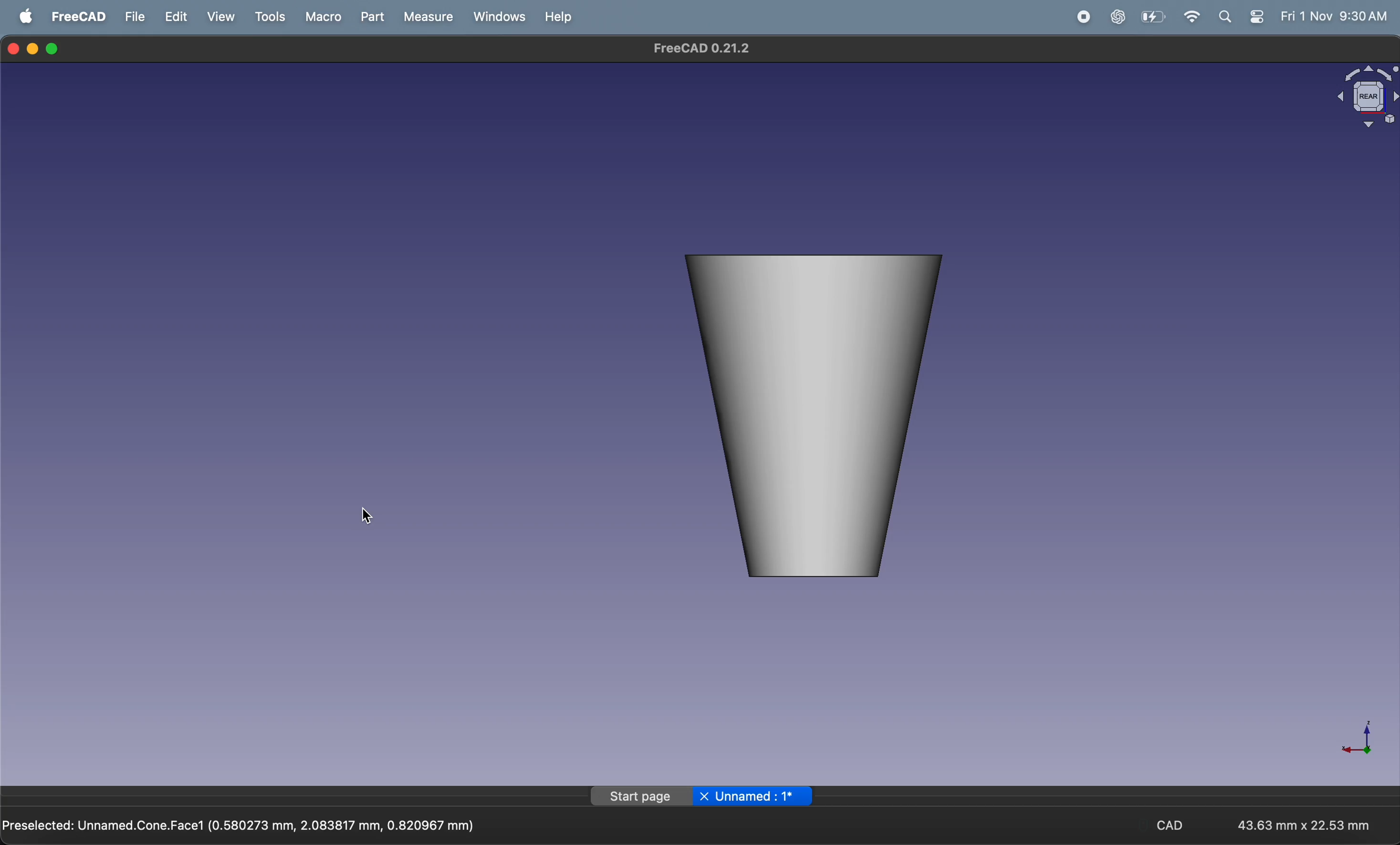 Image resolution: width=1400 pixels, height=845 pixels. Describe the element at coordinates (35, 48) in the screenshot. I see `minimize` at that location.